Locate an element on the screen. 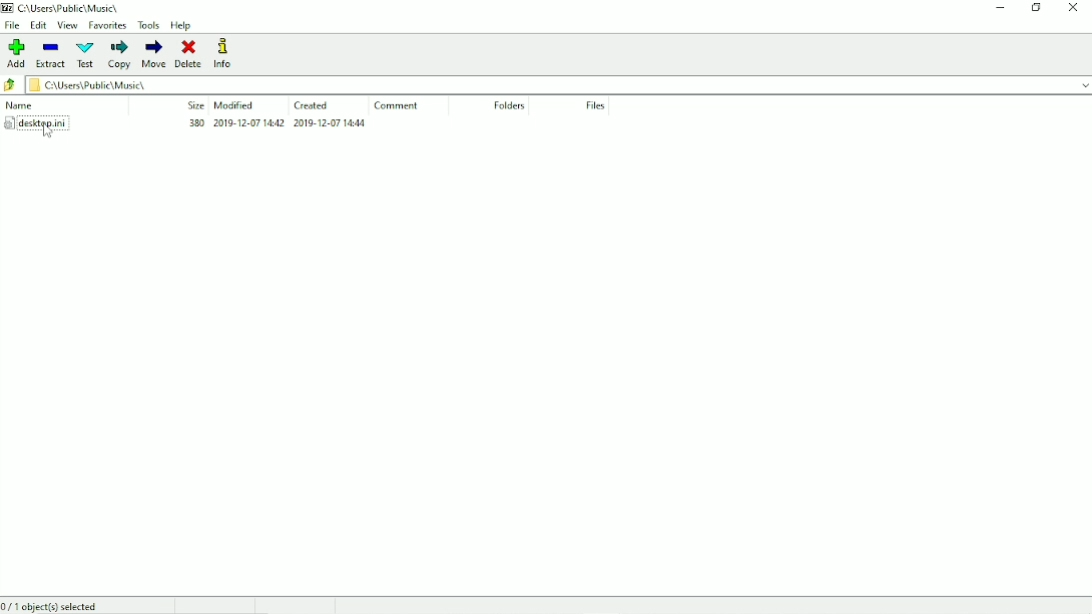  Comment is located at coordinates (400, 106).